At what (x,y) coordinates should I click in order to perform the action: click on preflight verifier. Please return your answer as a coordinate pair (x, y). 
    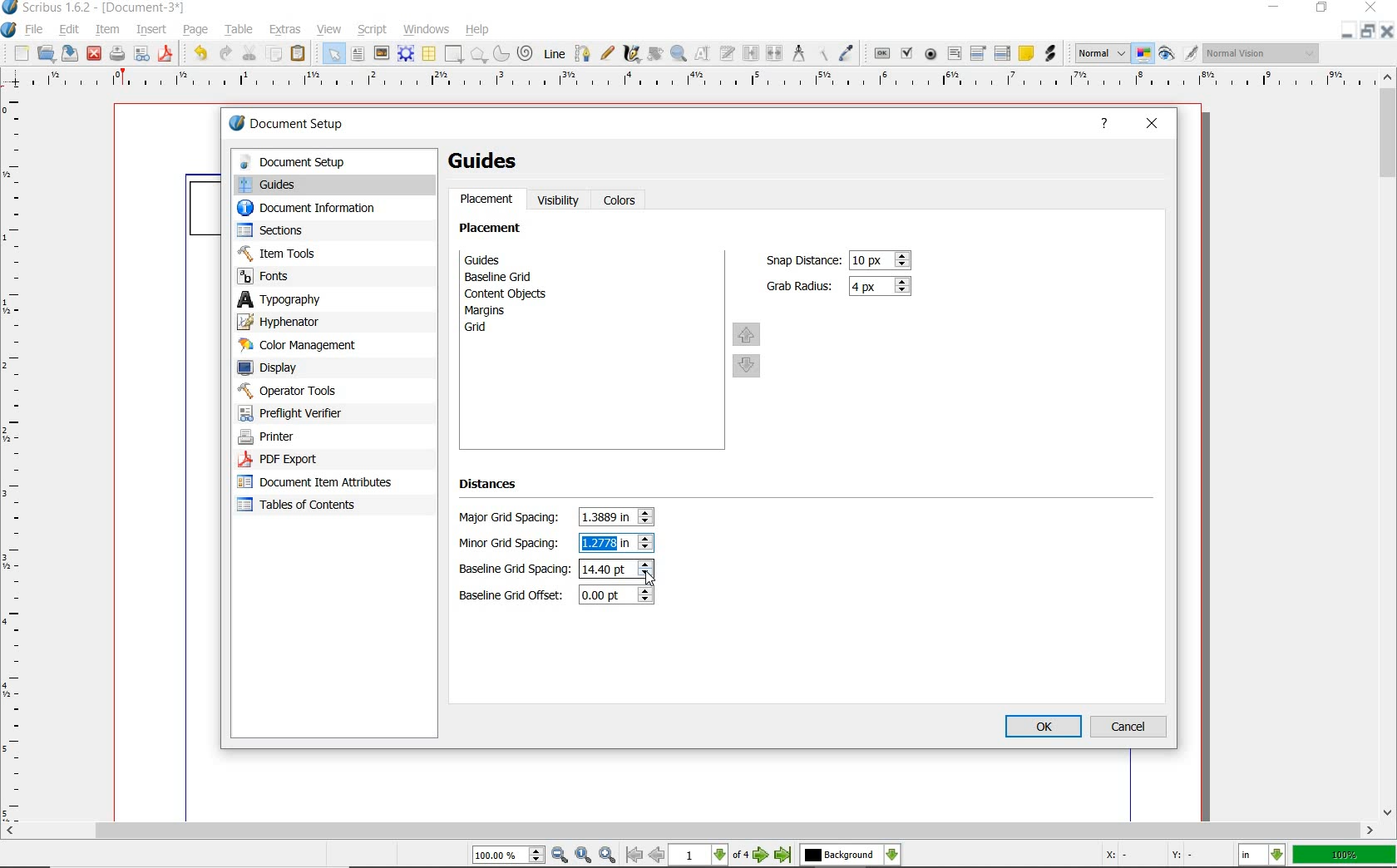
    Looking at the image, I should click on (309, 413).